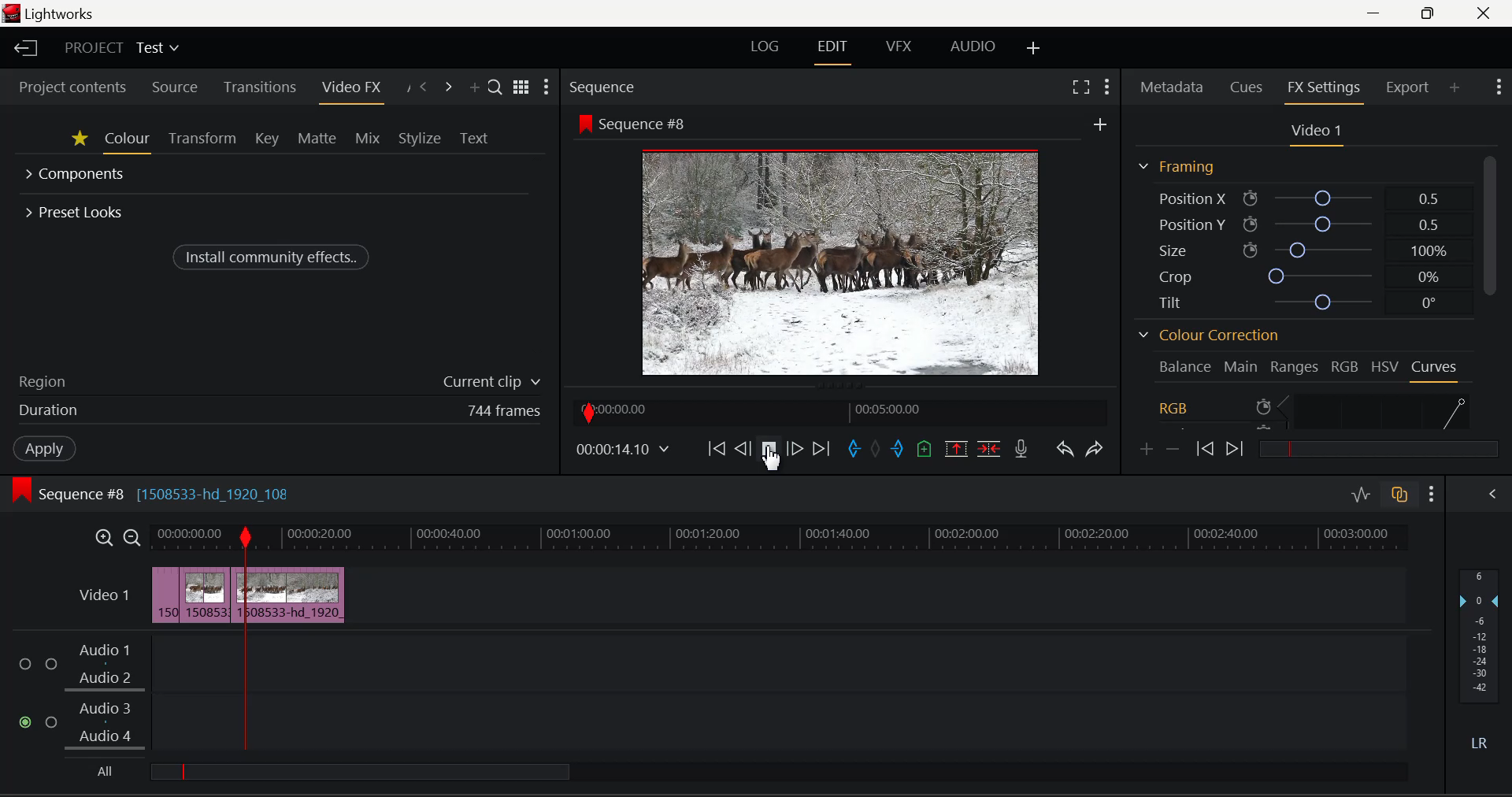 The height and width of the screenshot is (797, 1512). What do you see at coordinates (548, 87) in the screenshot?
I see `Show Settings` at bounding box center [548, 87].